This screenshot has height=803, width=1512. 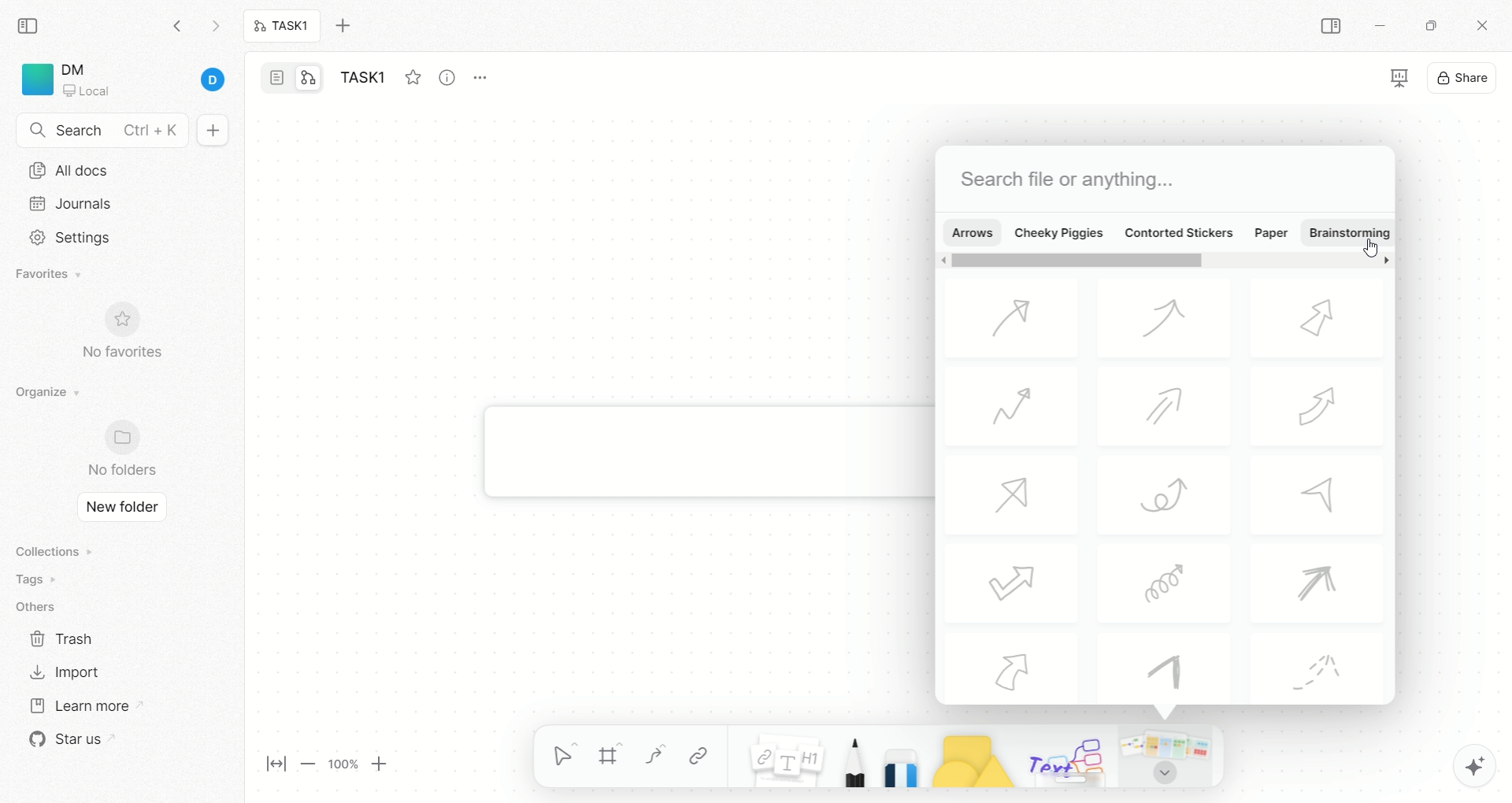 I want to click on collapse sidebar, so click(x=32, y=24).